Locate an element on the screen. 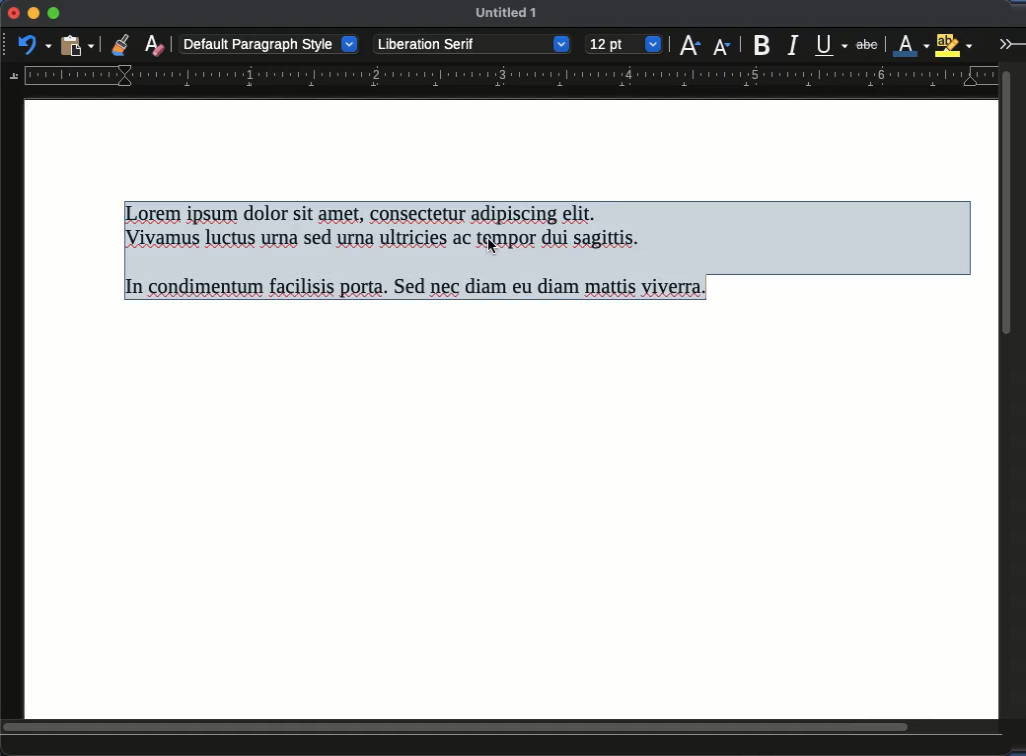  Liberation serif - font is located at coordinates (473, 44).